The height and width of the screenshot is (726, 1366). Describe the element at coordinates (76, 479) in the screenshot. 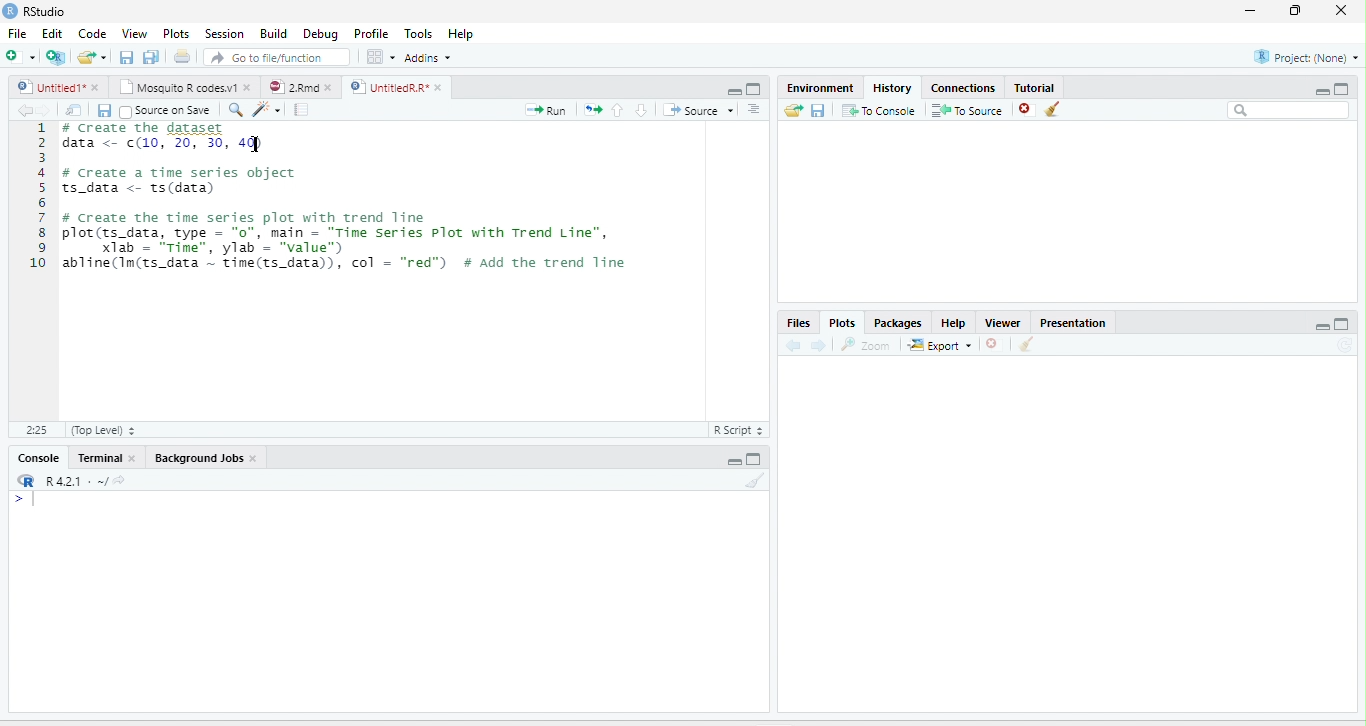

I see `R 4.2.1 . ~/` at that location.